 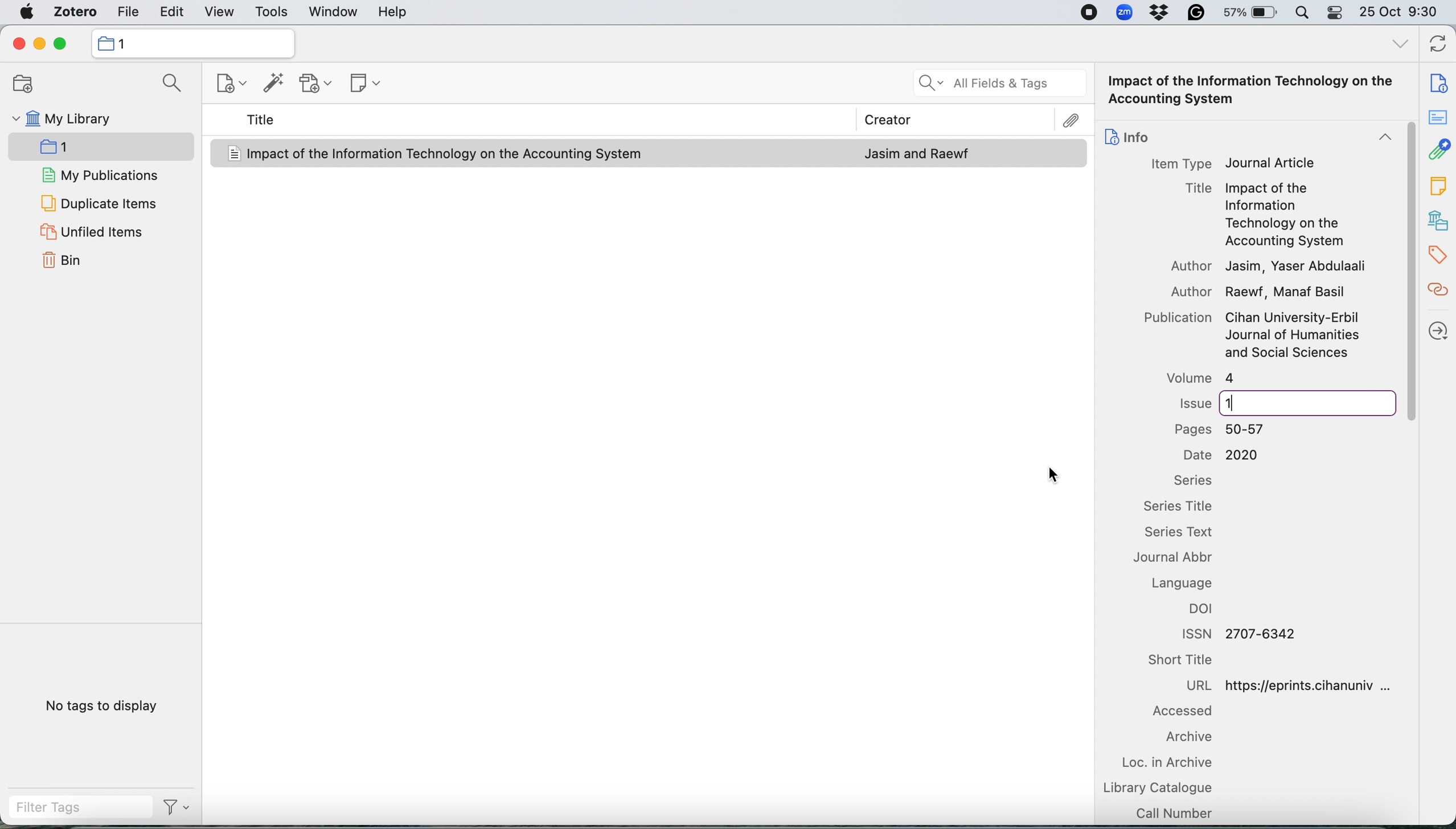 I want to click on tags, so click(x=1437, y=255).